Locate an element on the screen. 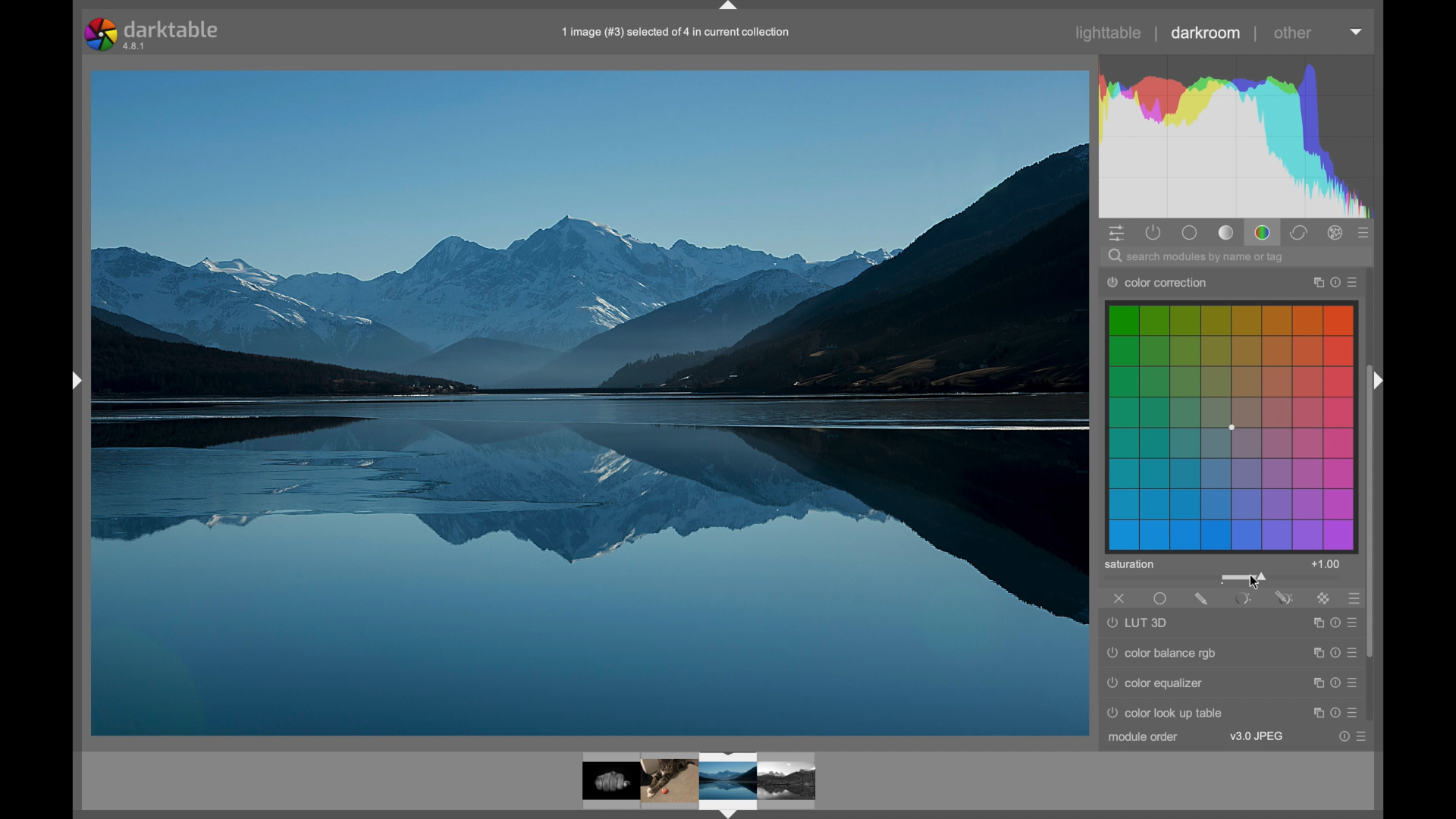 This screenshot has width=1456, height=819. tone is located at coordinates (1227, 232).